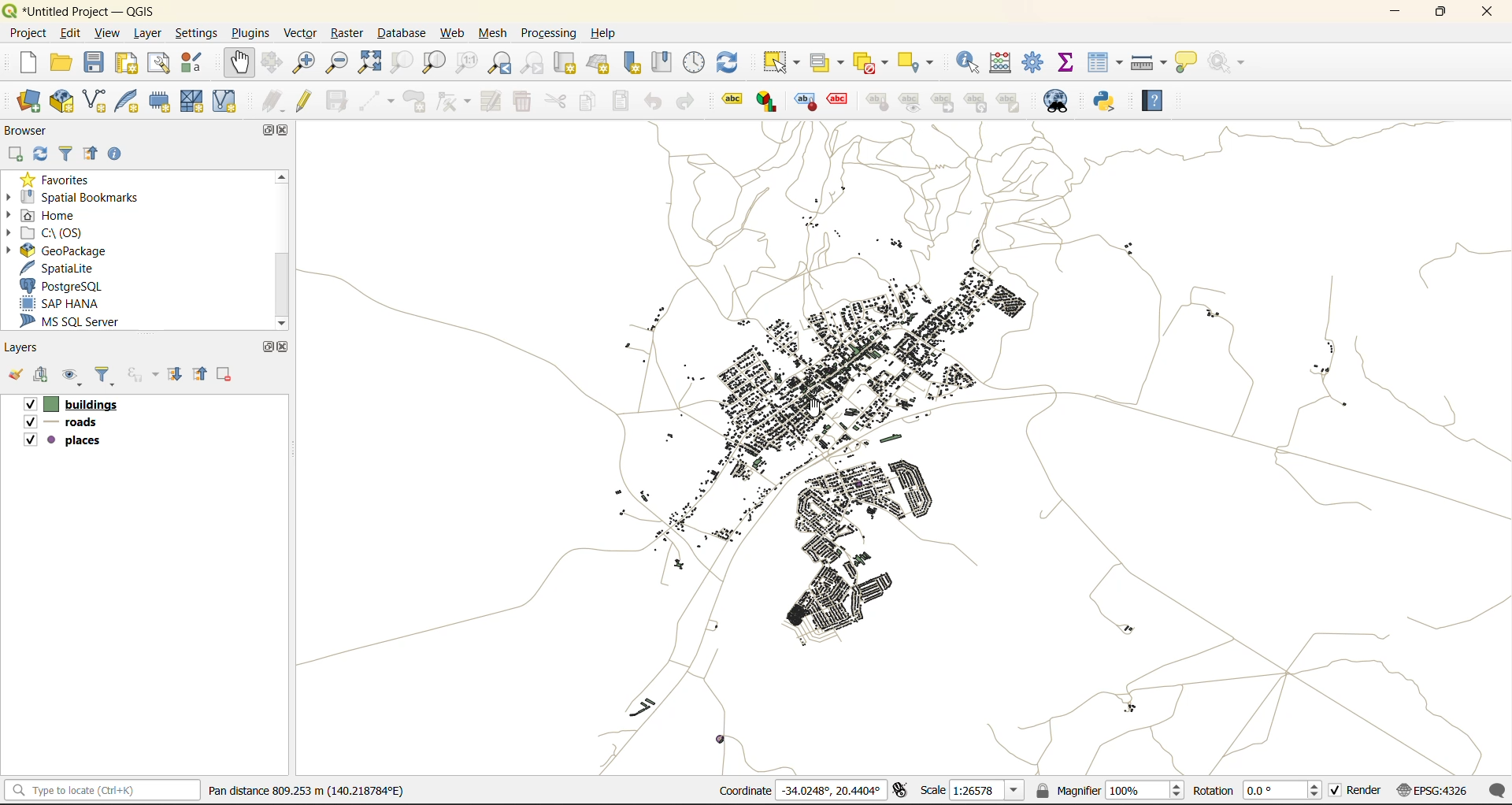 The height and width of the screenshot is (805, 1512). What do you see at coordinates (47, 214) in the screenshot?
I see `home` at bounding box center [47, 214].